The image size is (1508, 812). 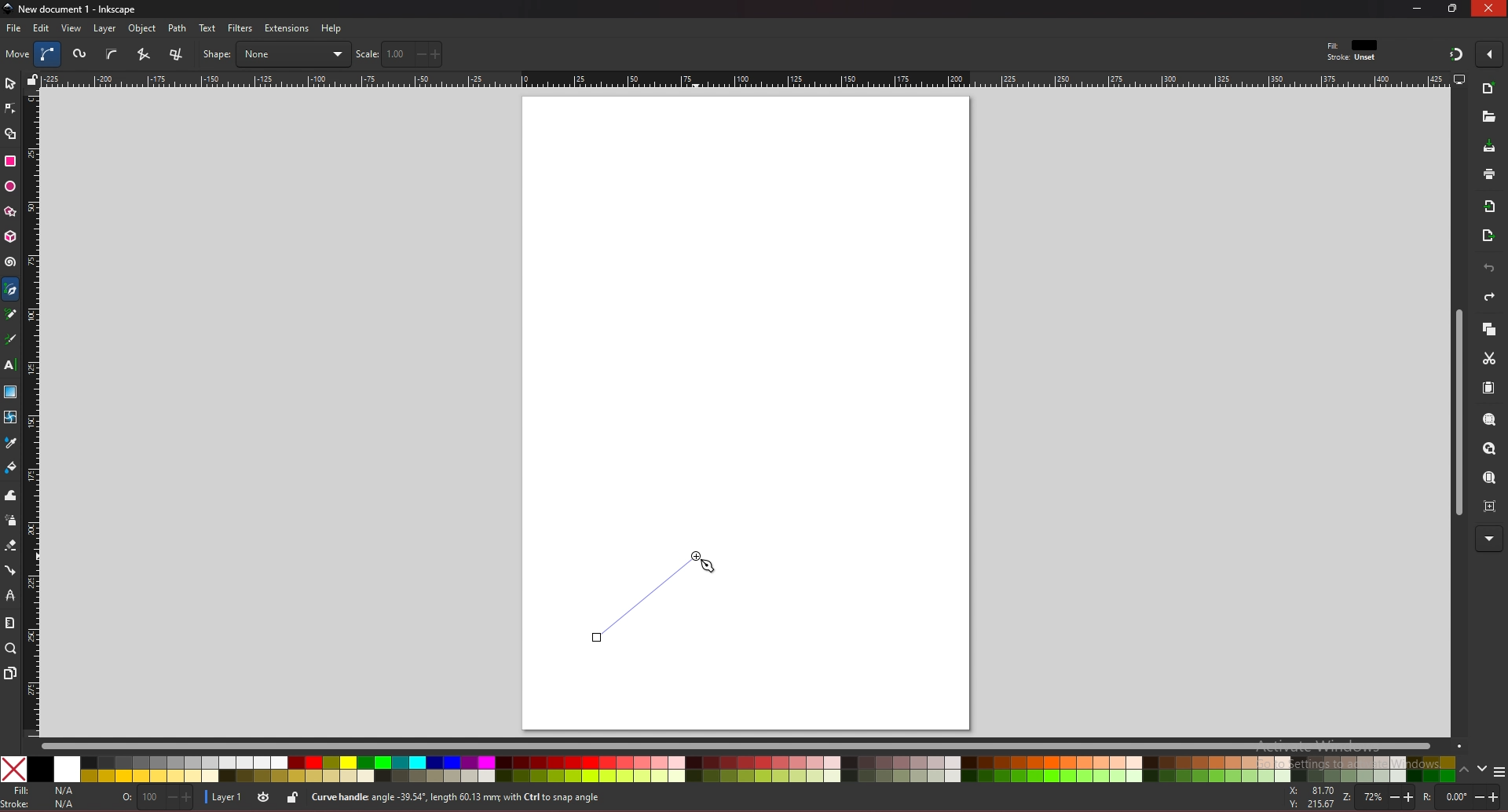 What do you see at coordinates (72, 8) in the screenshot?
I see `title` at bounding box center [72, 8].